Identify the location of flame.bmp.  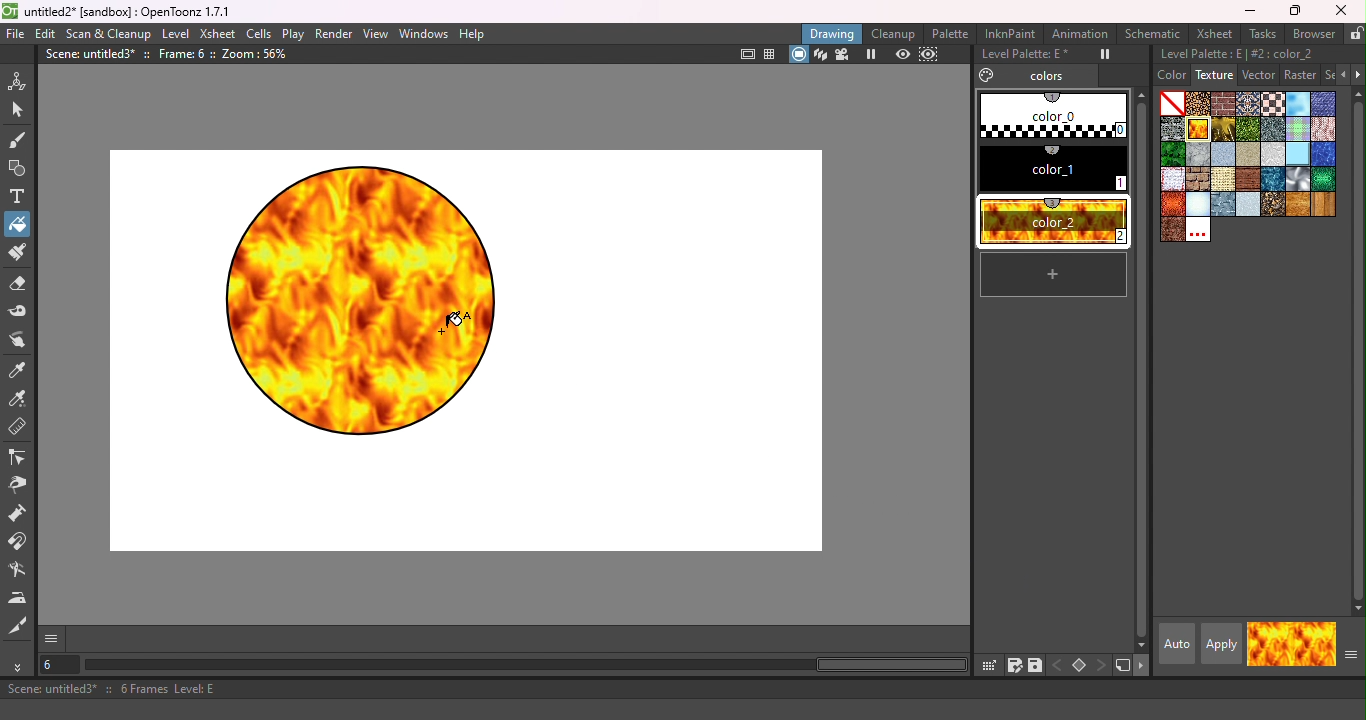
(1198, 129).